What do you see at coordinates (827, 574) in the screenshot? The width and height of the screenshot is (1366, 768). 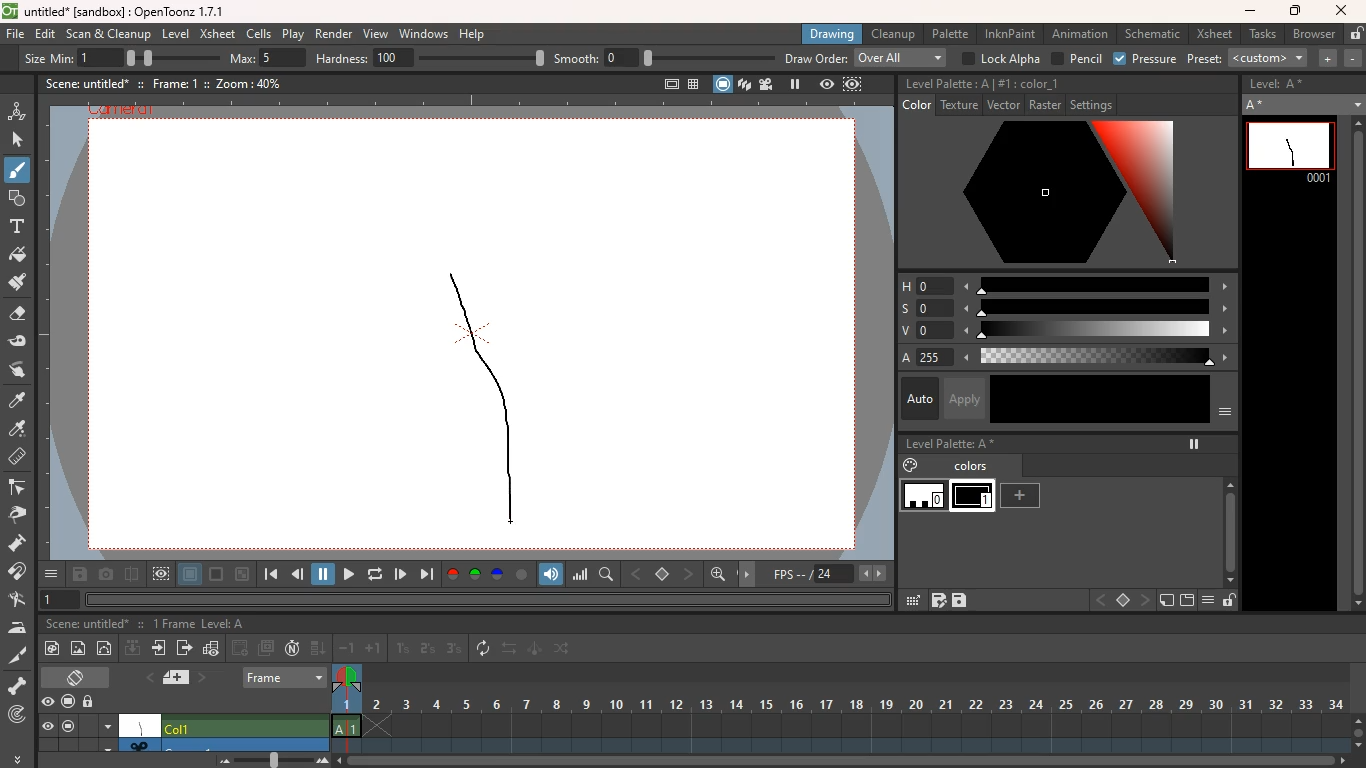 I see `fps` at bounding box center [827, 574].